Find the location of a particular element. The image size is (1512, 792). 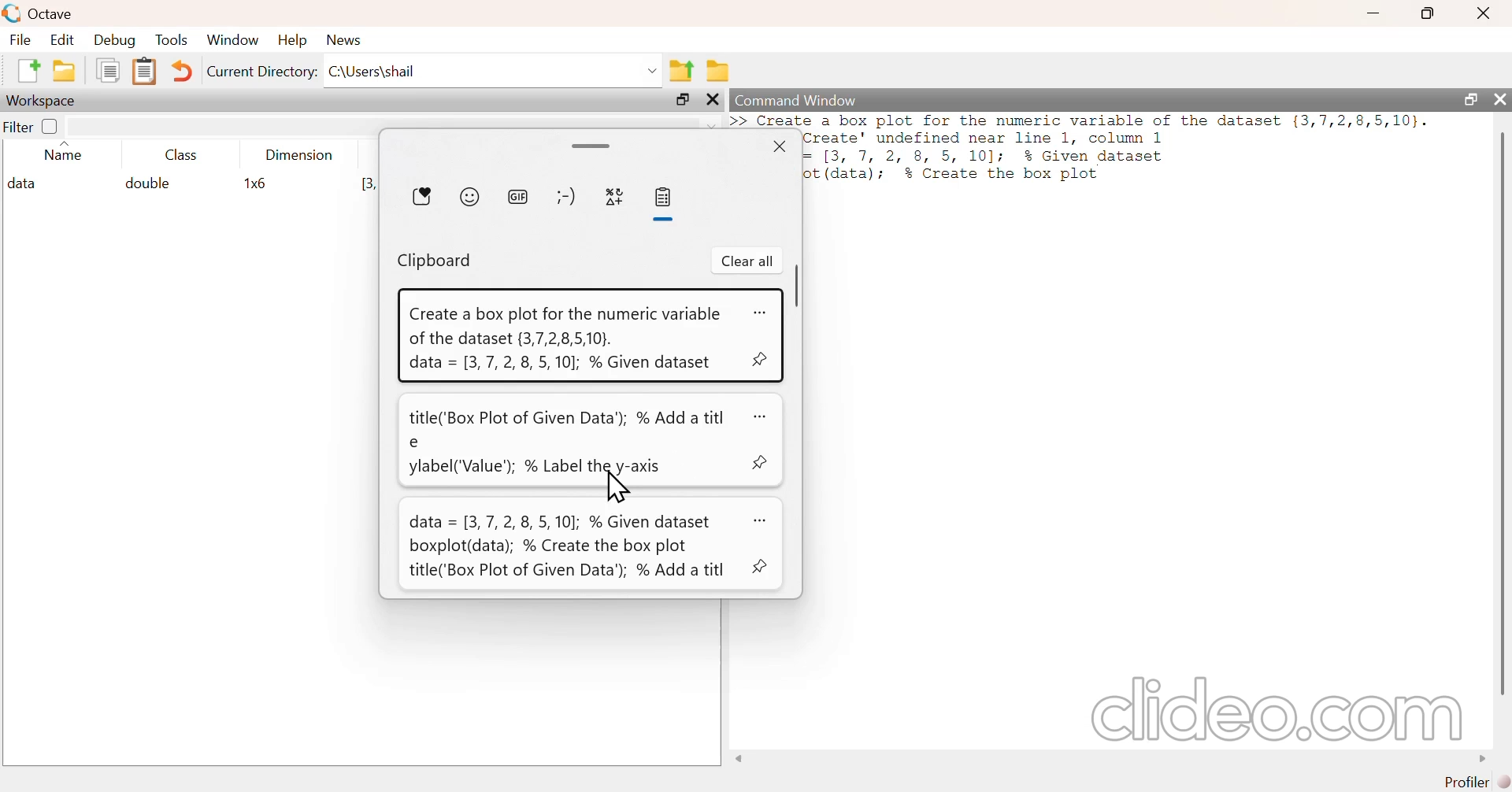

GIF is located at coordinates (515, 201).